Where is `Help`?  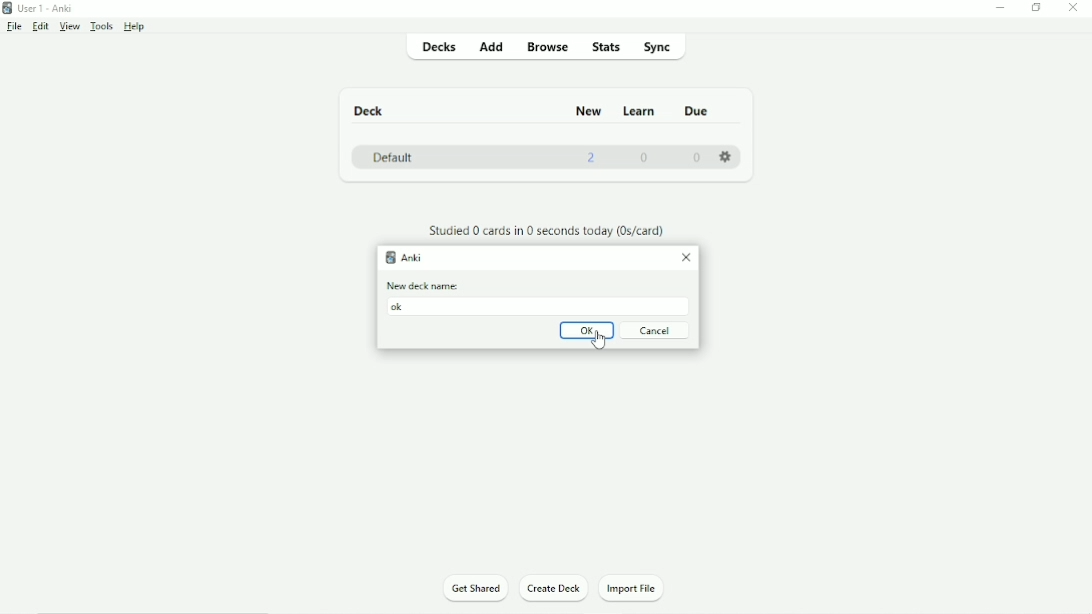 Help is located at coordinates (136, 27).